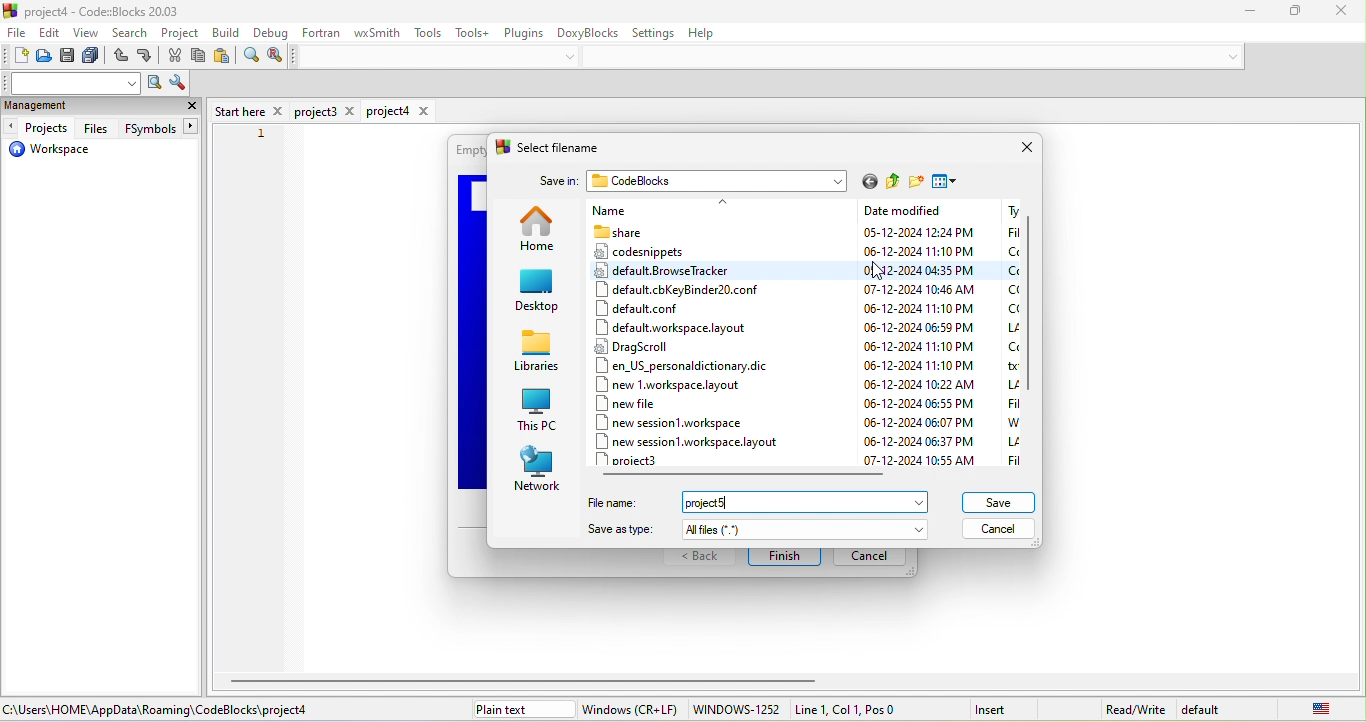  I want to click on default workspace layout, so click(672, 328).